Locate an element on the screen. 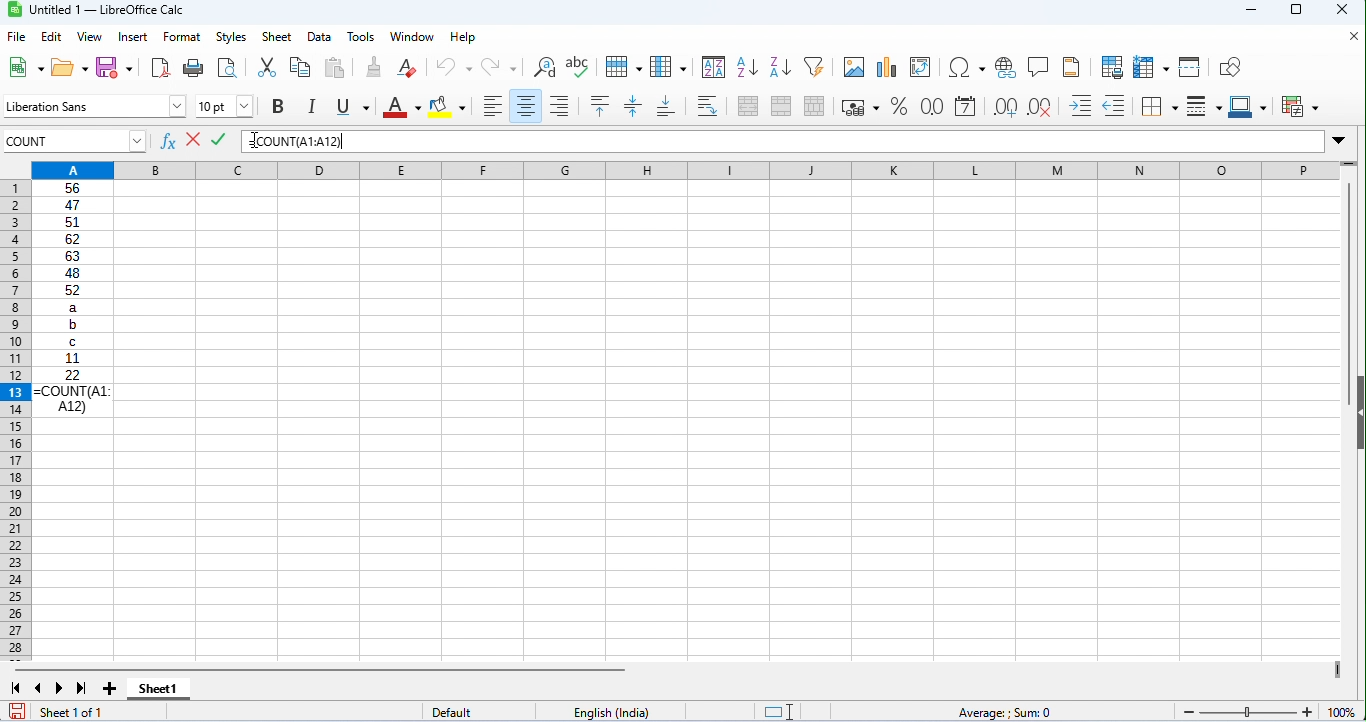  spelling is located at coordinates (580, 67).